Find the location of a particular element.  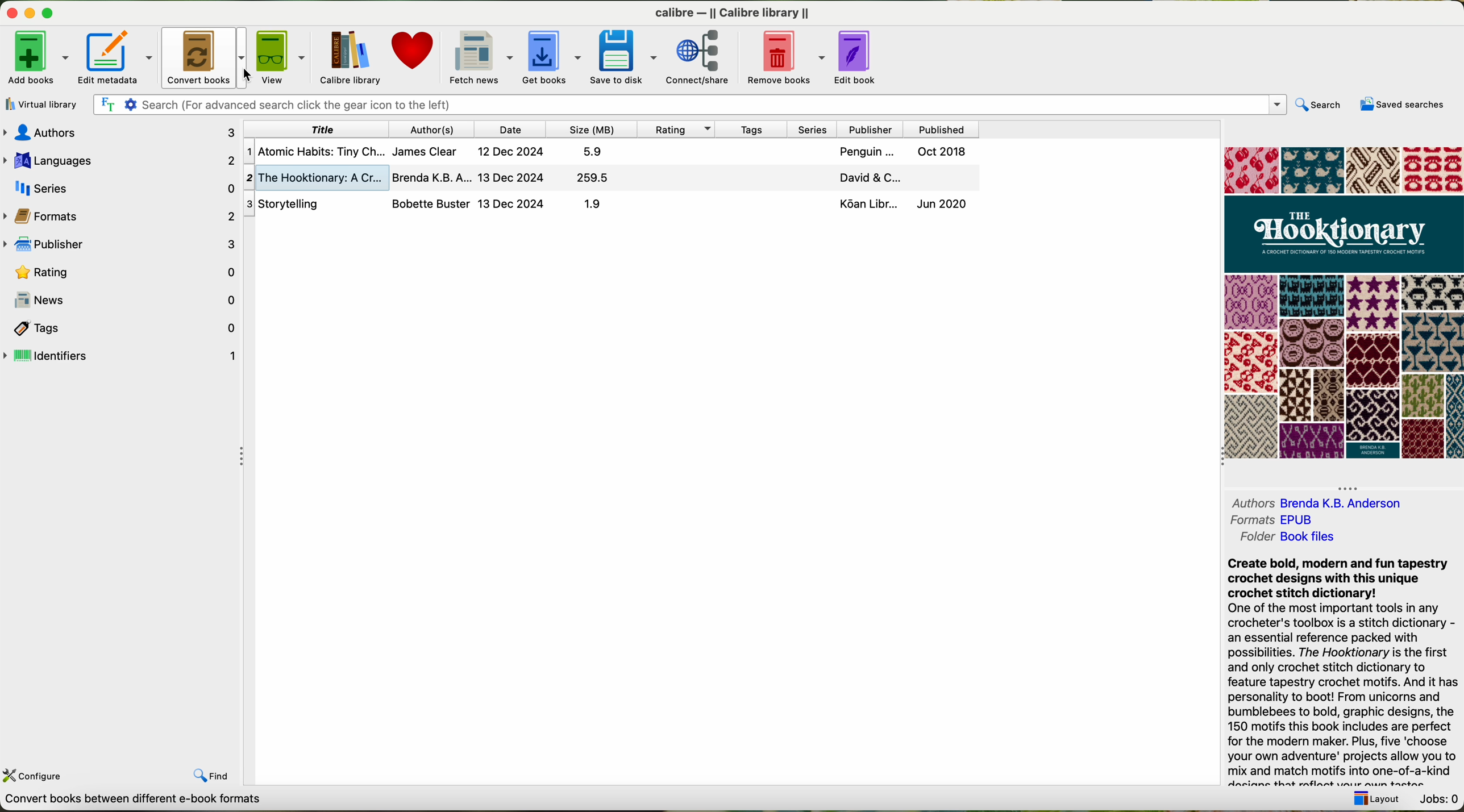

search is located at coordinates (1319, 106).